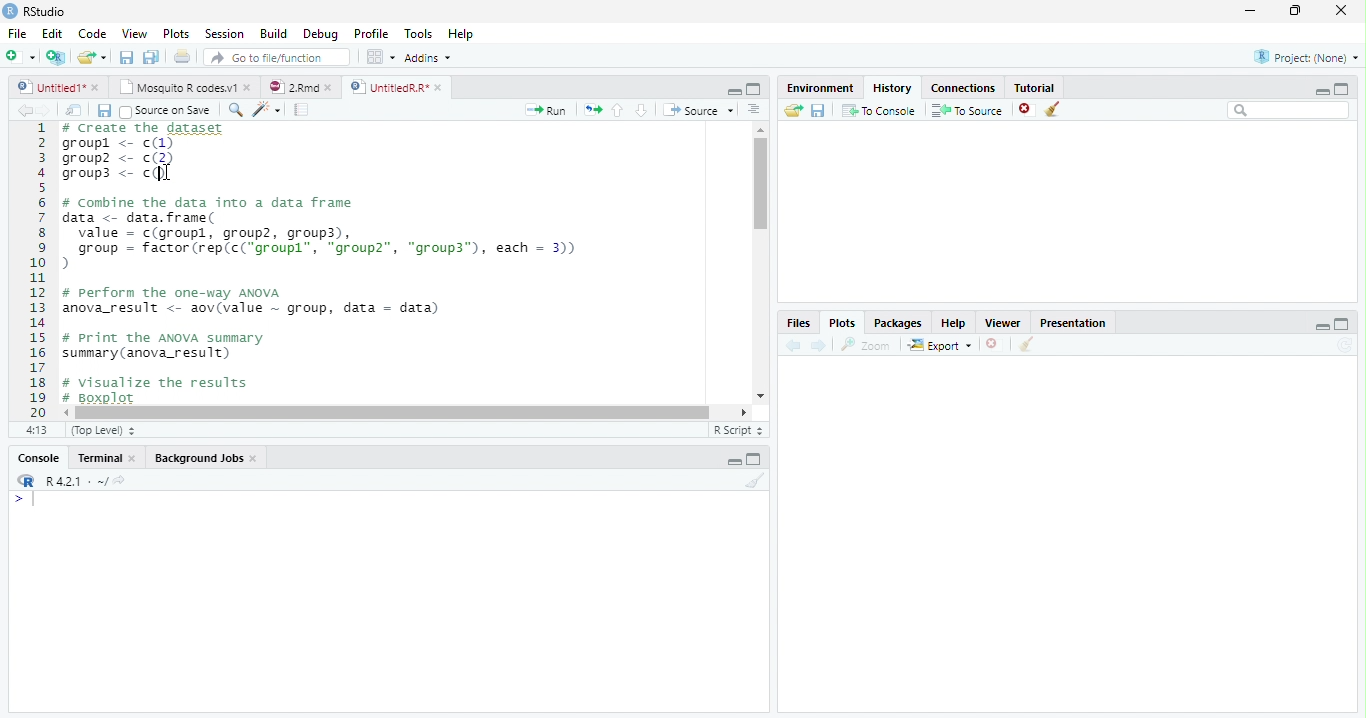  Describe the element at coordinates (323, 35) in the screenshot. I see `debug` at that location.